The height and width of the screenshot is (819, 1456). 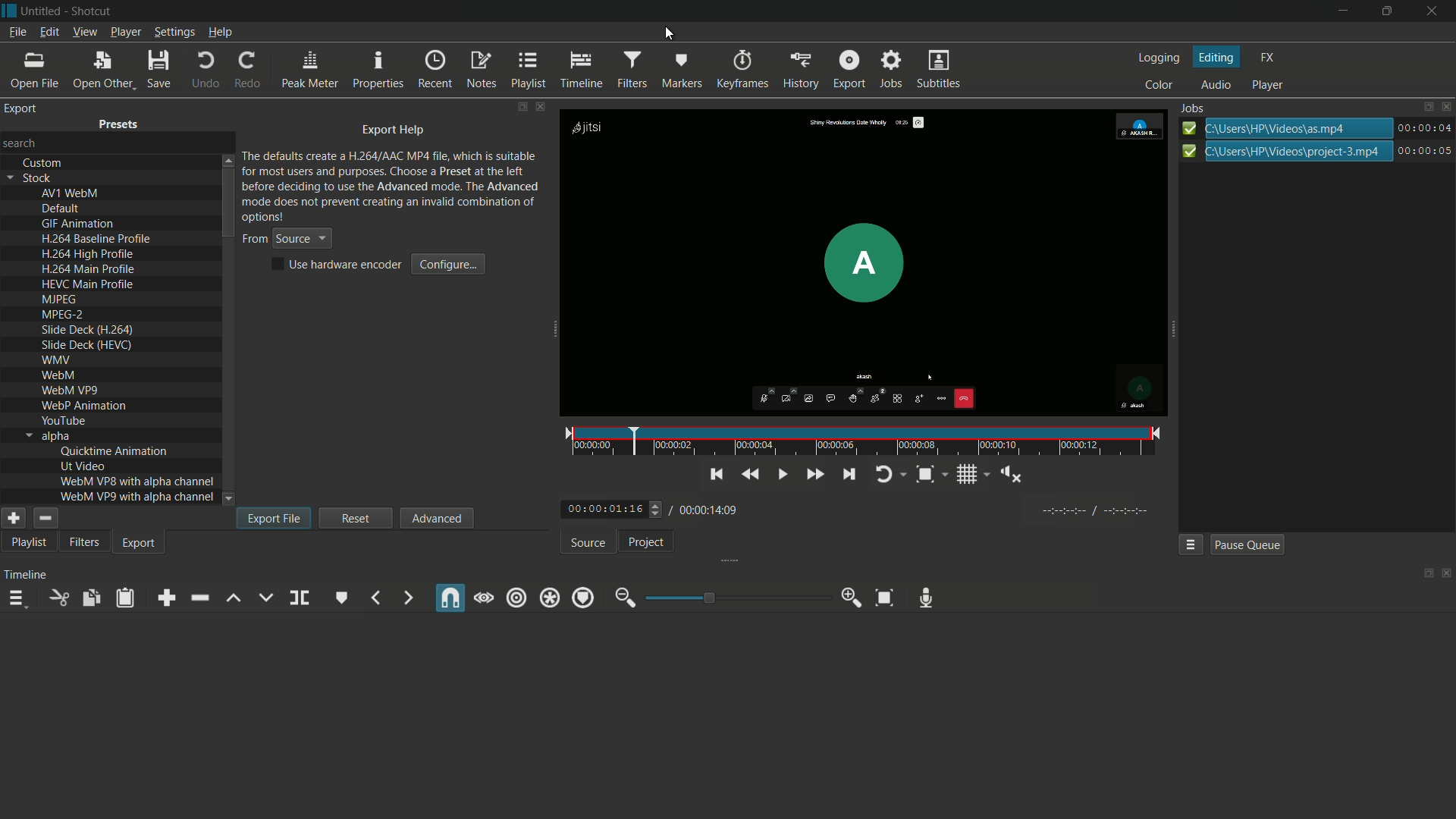 What do you see at coordinates (20, 601) in the screenshot?
I see `timeline menu` at bounding box center [20, 601].